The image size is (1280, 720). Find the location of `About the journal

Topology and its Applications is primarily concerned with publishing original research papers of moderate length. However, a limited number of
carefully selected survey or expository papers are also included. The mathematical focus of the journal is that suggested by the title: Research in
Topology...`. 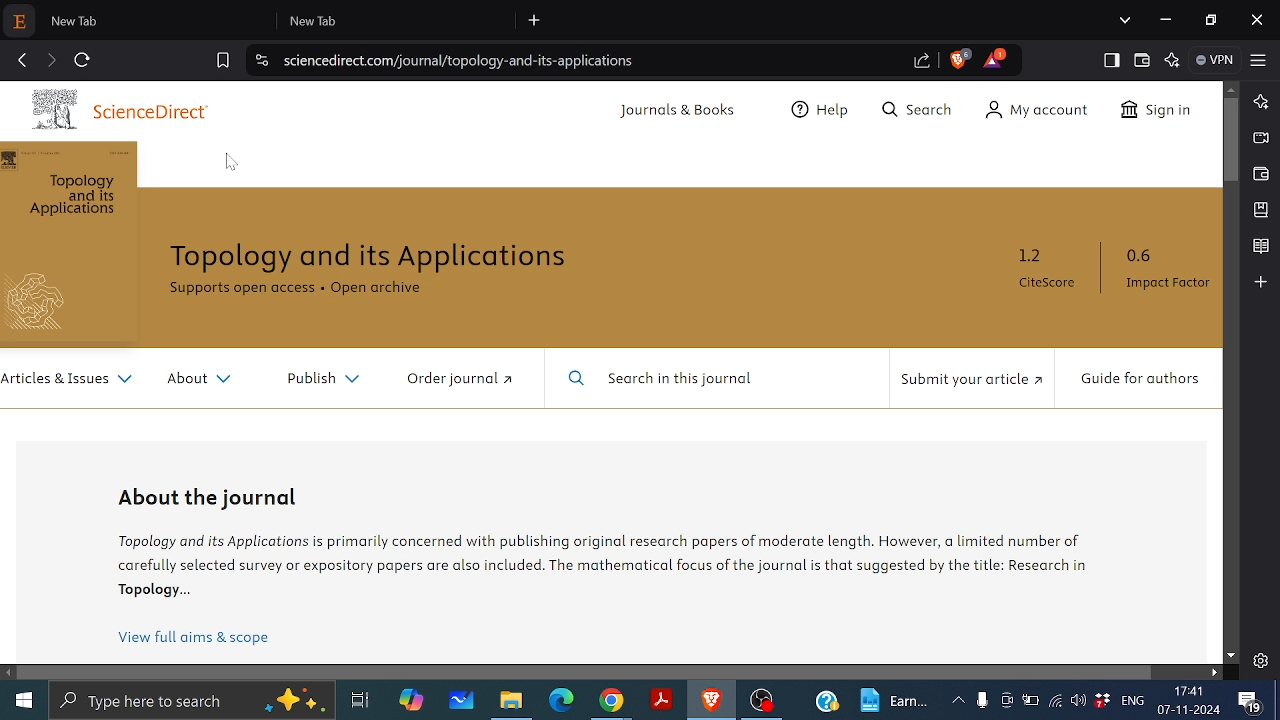

About the journal

Topology and its Applications is primarily concerned with publishing original research papers of moderate length. However, a limited number of
carefully selected survey or expository papers are also included. The mathematical focus of the journal is that suggested by the title: Research in
Topology... is located at coordinates (632, 550).